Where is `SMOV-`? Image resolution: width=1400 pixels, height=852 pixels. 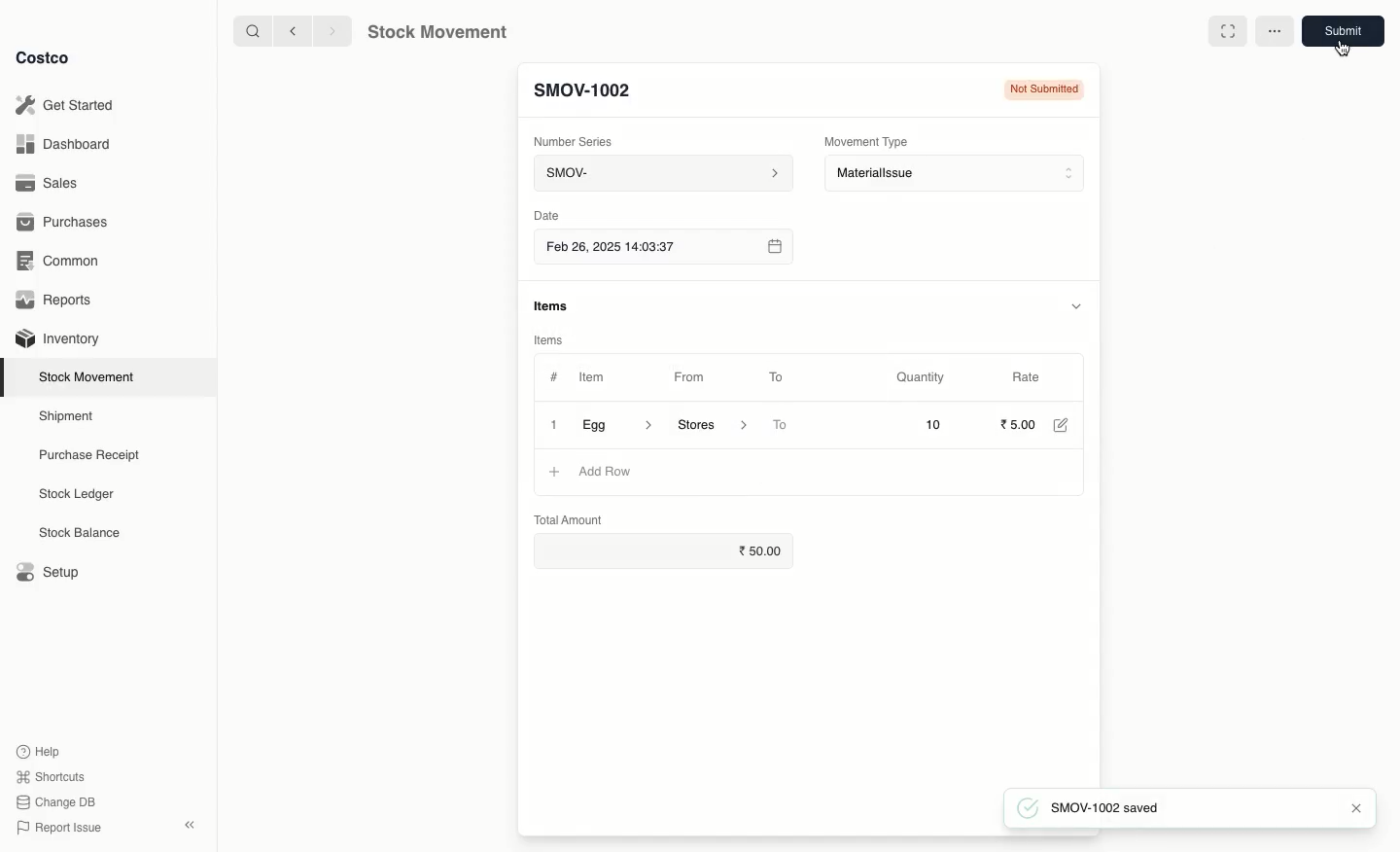
SMOV- is located at coordinates (663, 172).